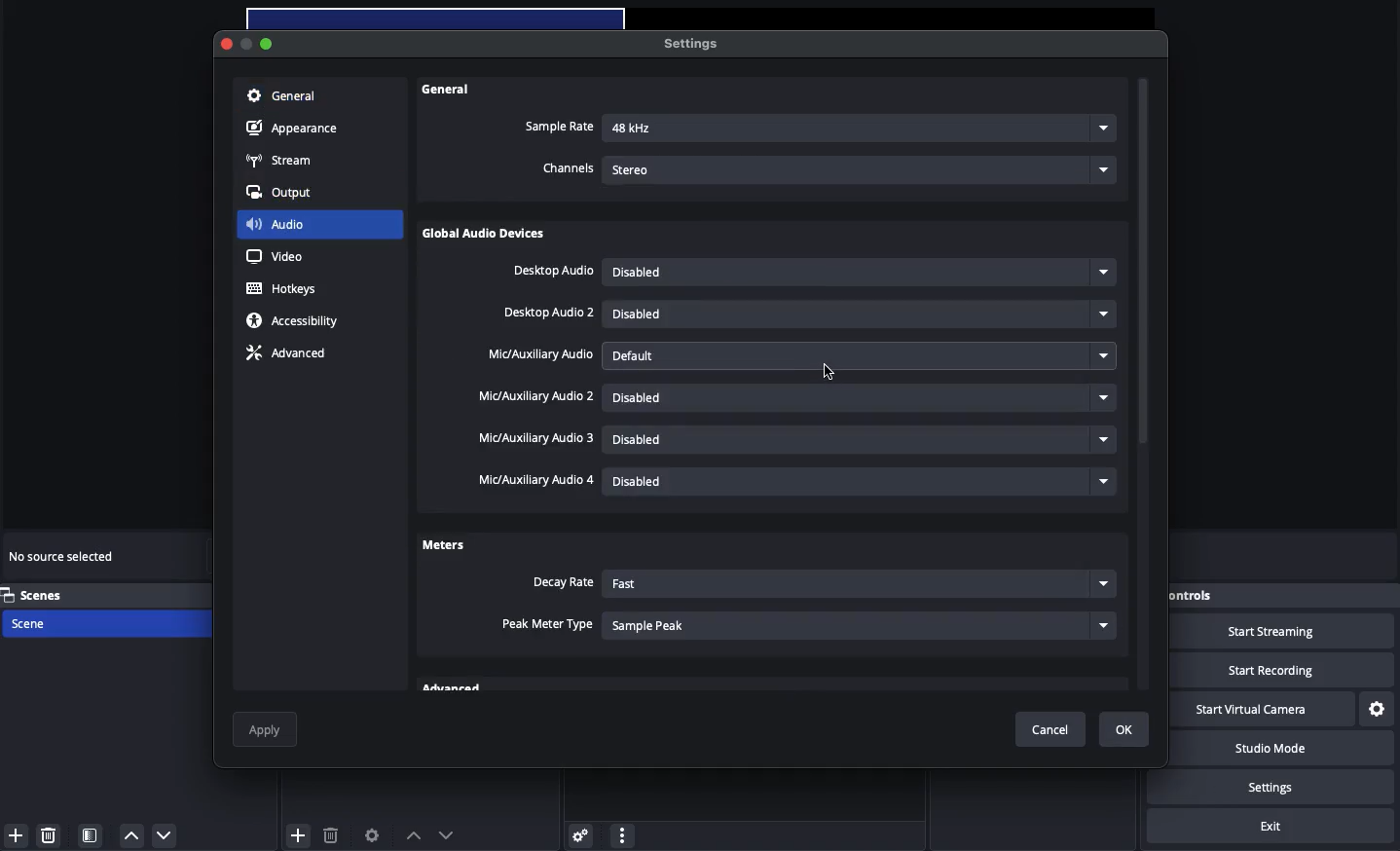  Describe the element at coordinates (1287, 787) in the screenshot. I see `Settings` at that location.